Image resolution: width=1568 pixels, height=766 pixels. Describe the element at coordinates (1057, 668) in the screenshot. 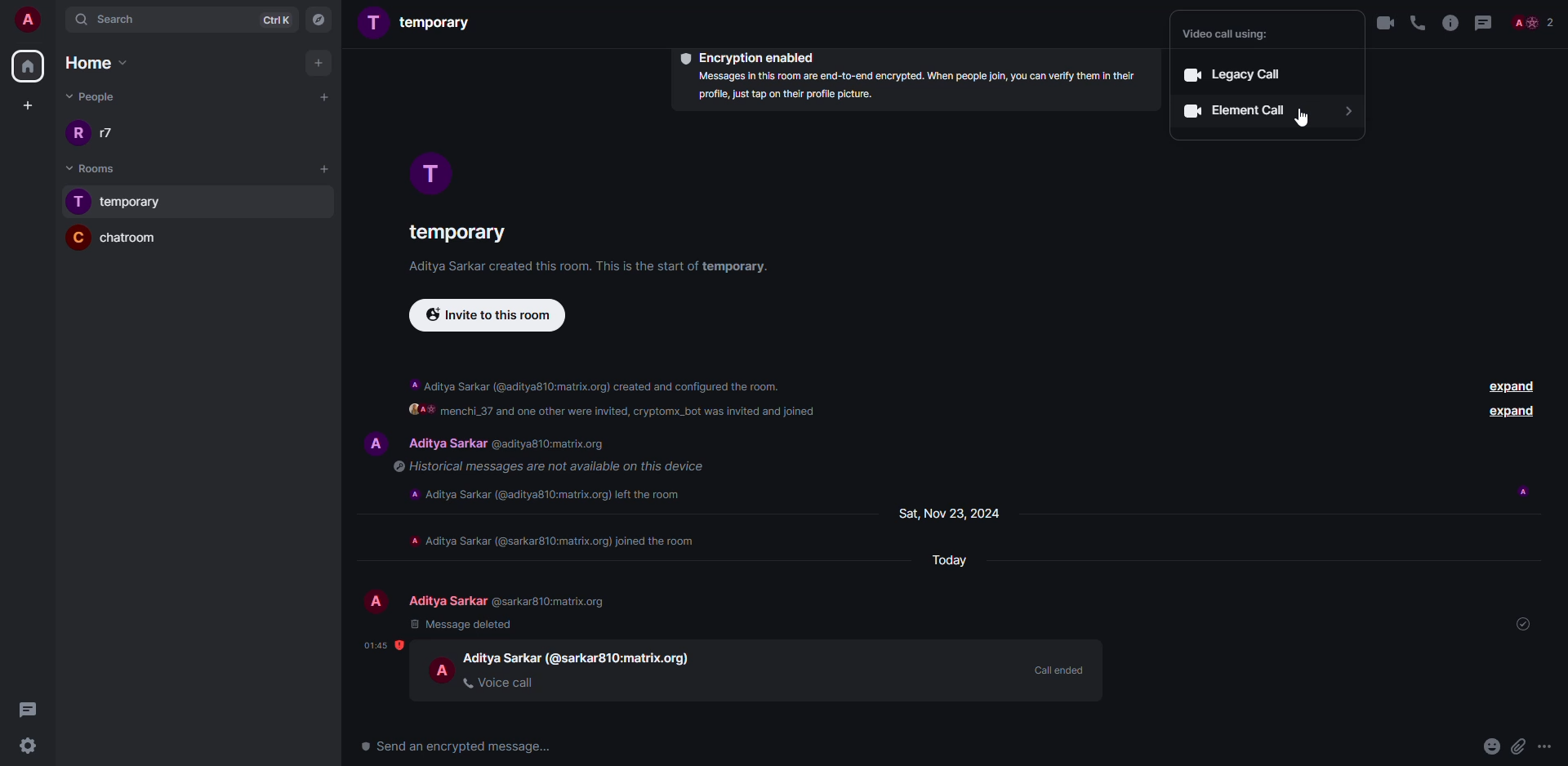

I see `call ended` at that location.